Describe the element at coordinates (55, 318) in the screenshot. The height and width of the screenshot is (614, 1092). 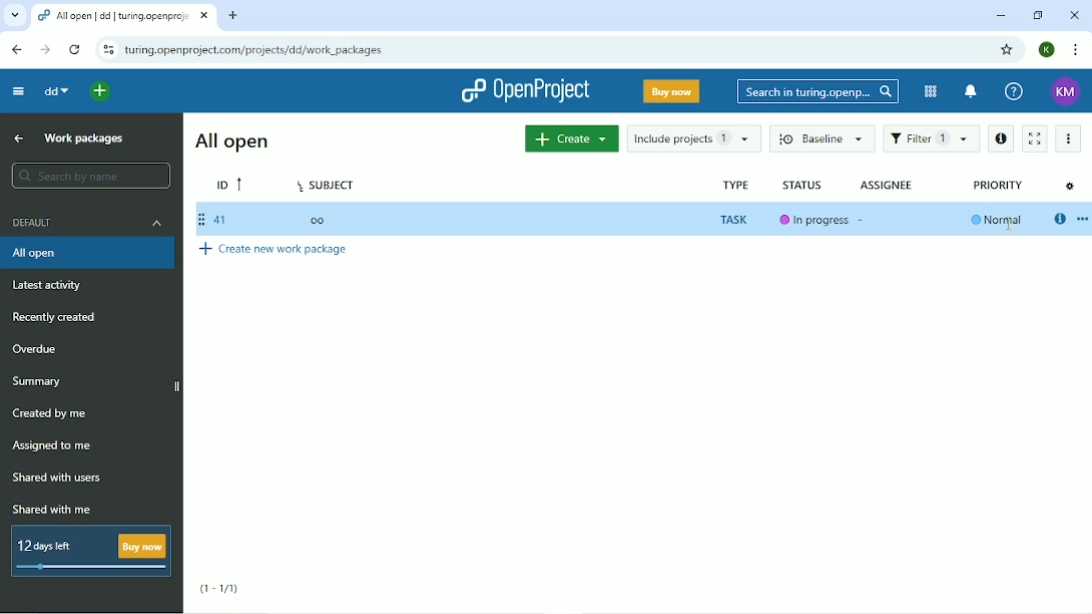
I see `Recently created` at that location.